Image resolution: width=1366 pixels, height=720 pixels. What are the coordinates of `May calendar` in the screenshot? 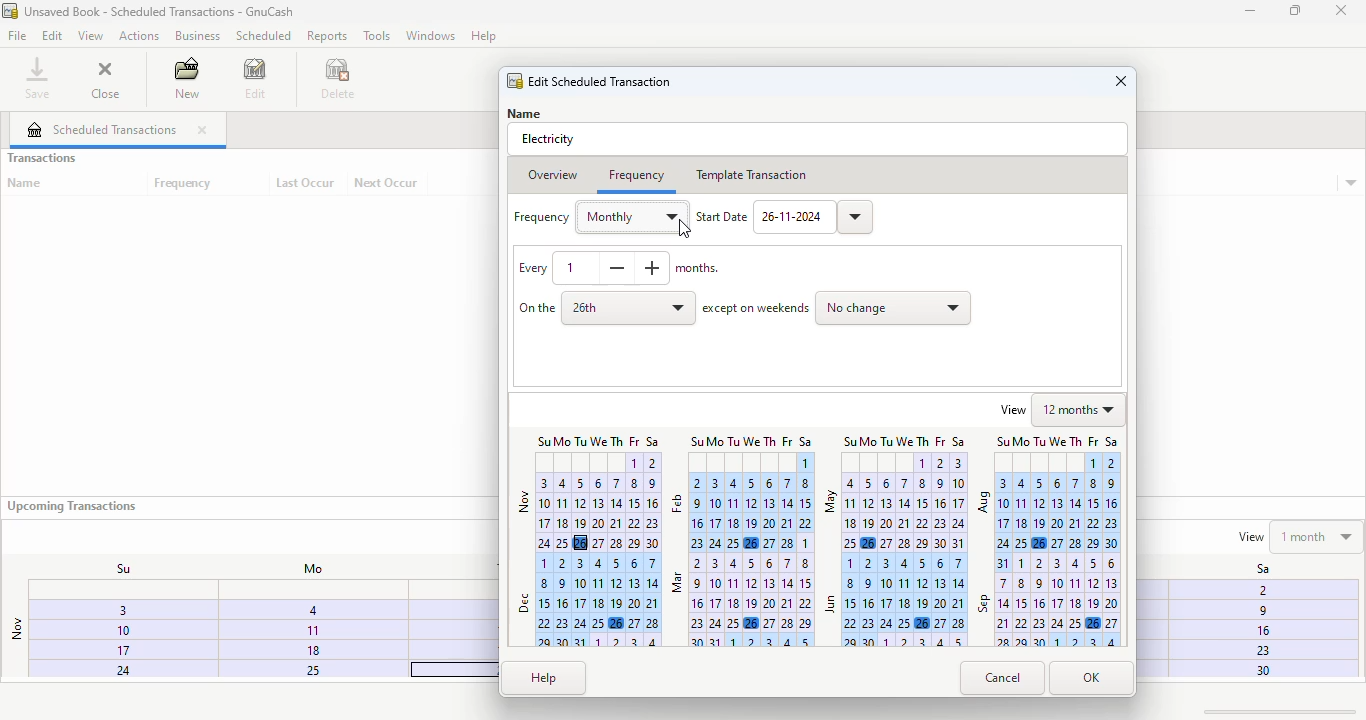 It's located at (895, 492).